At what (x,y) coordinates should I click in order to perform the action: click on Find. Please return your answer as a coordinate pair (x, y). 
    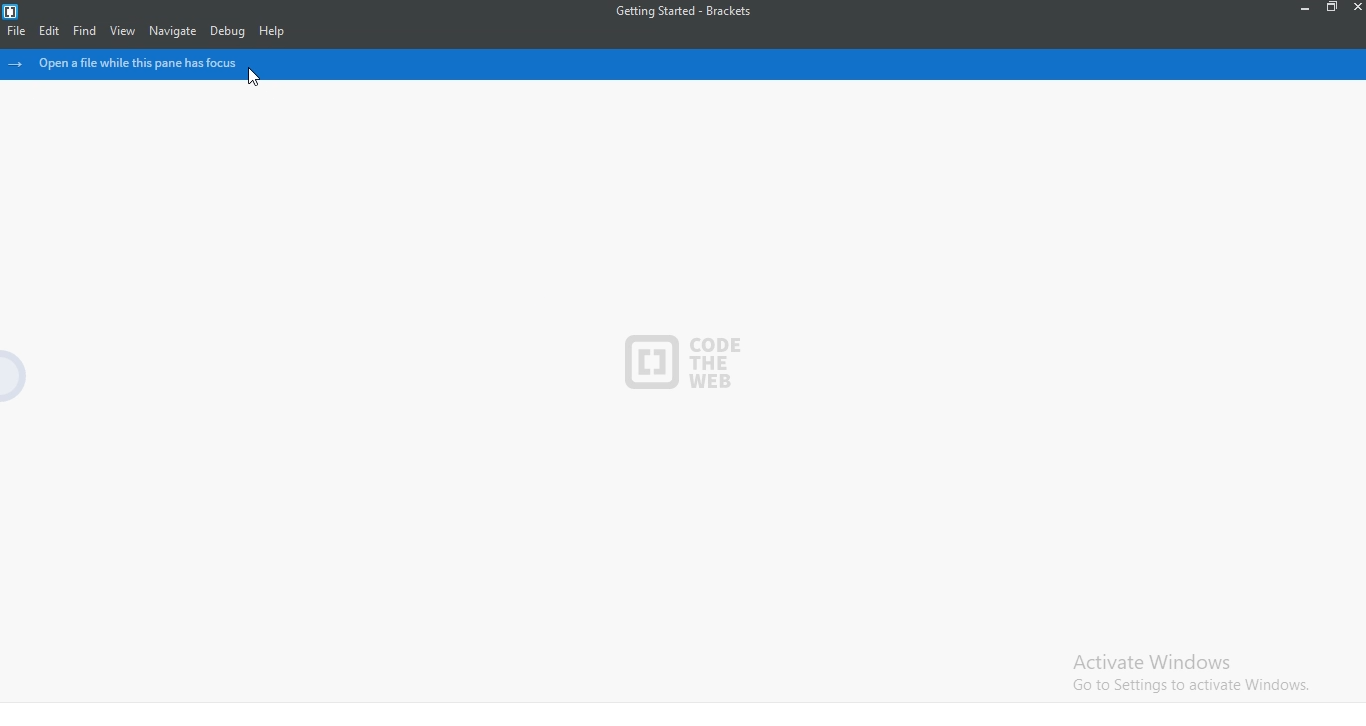
    Looking at the image, I should click on (87, 31).